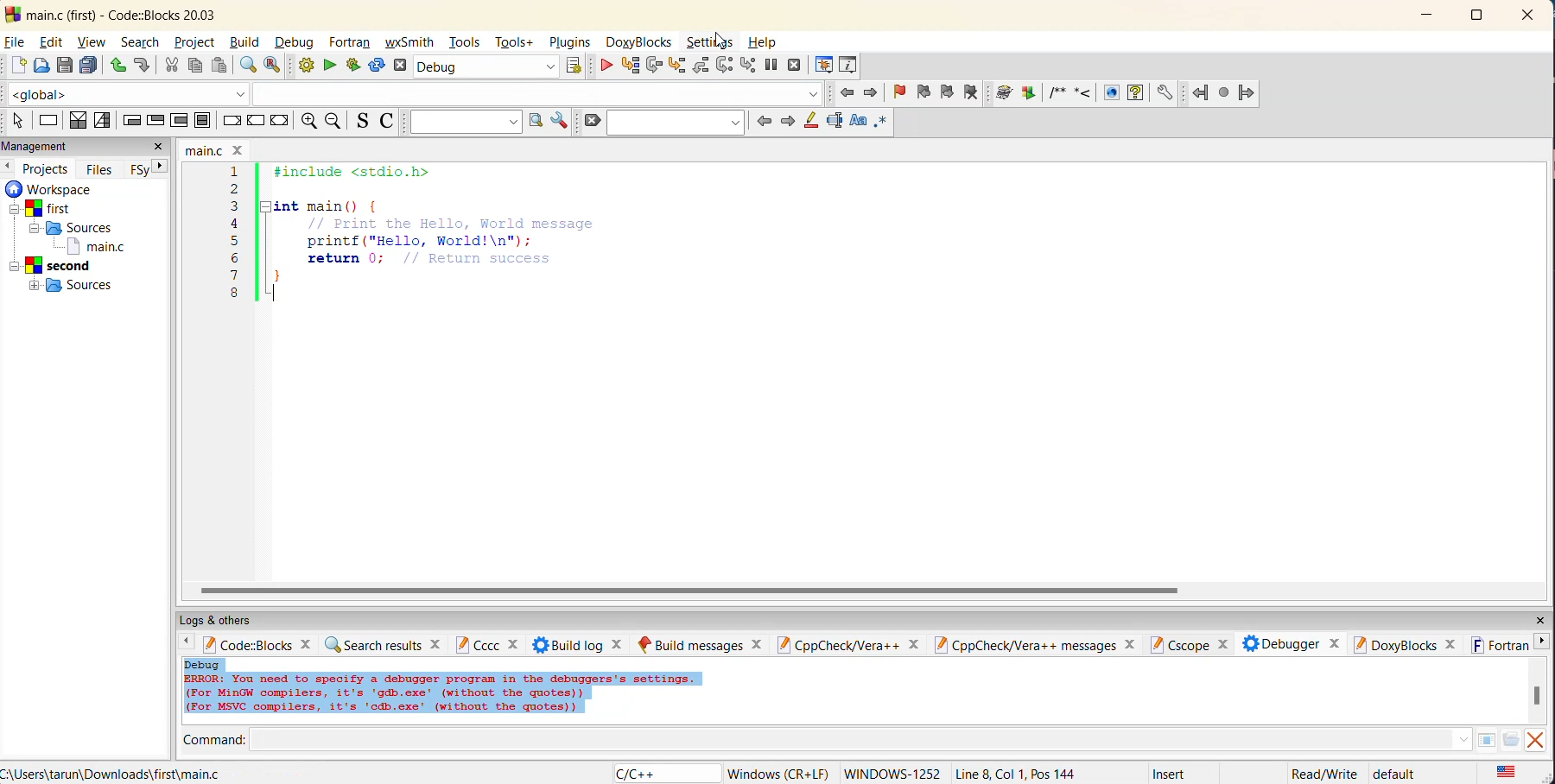  I want to click on text to search, so click(464, 121).